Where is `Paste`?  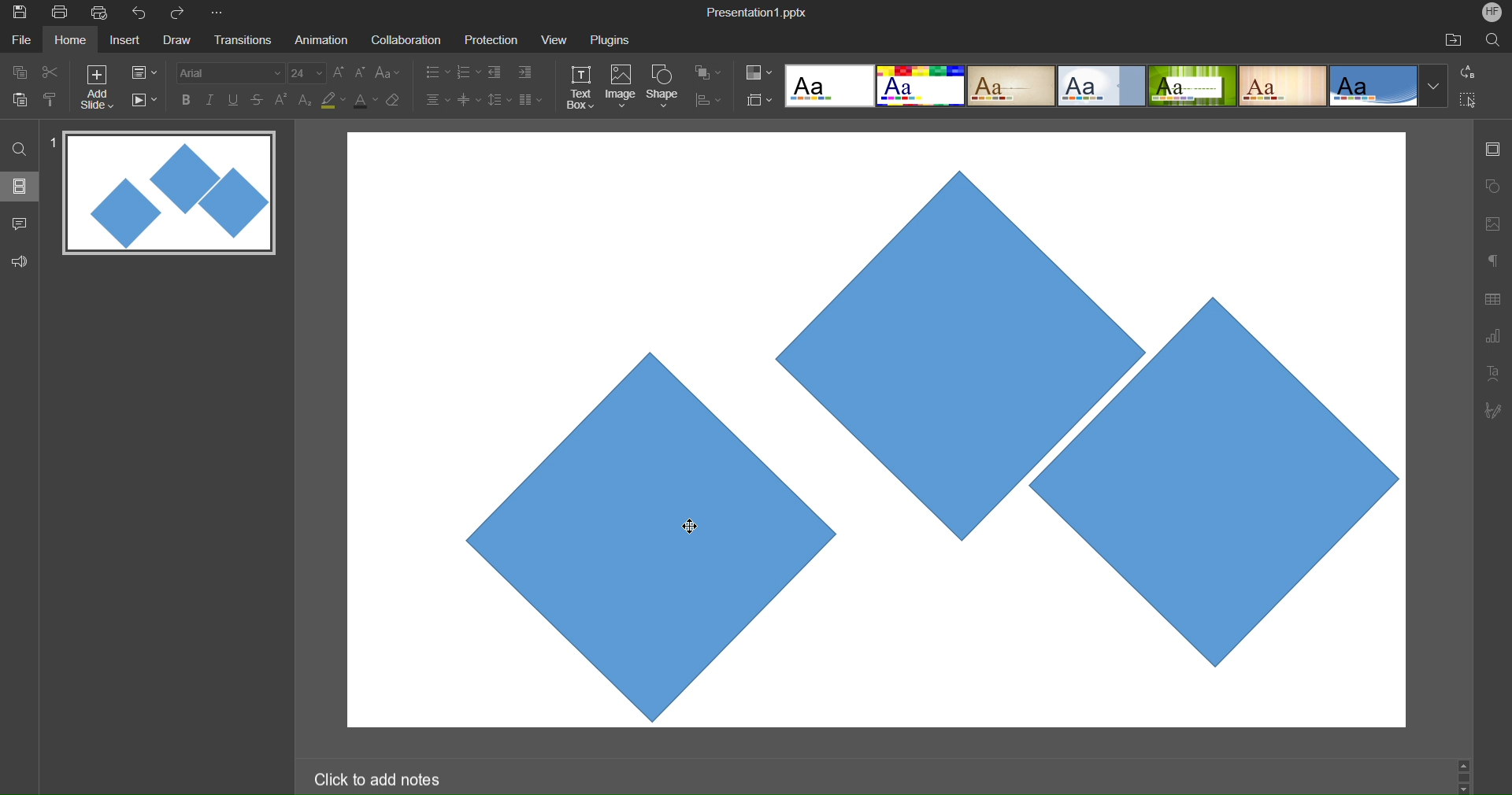
Paste is located at coordinates (20, 98).